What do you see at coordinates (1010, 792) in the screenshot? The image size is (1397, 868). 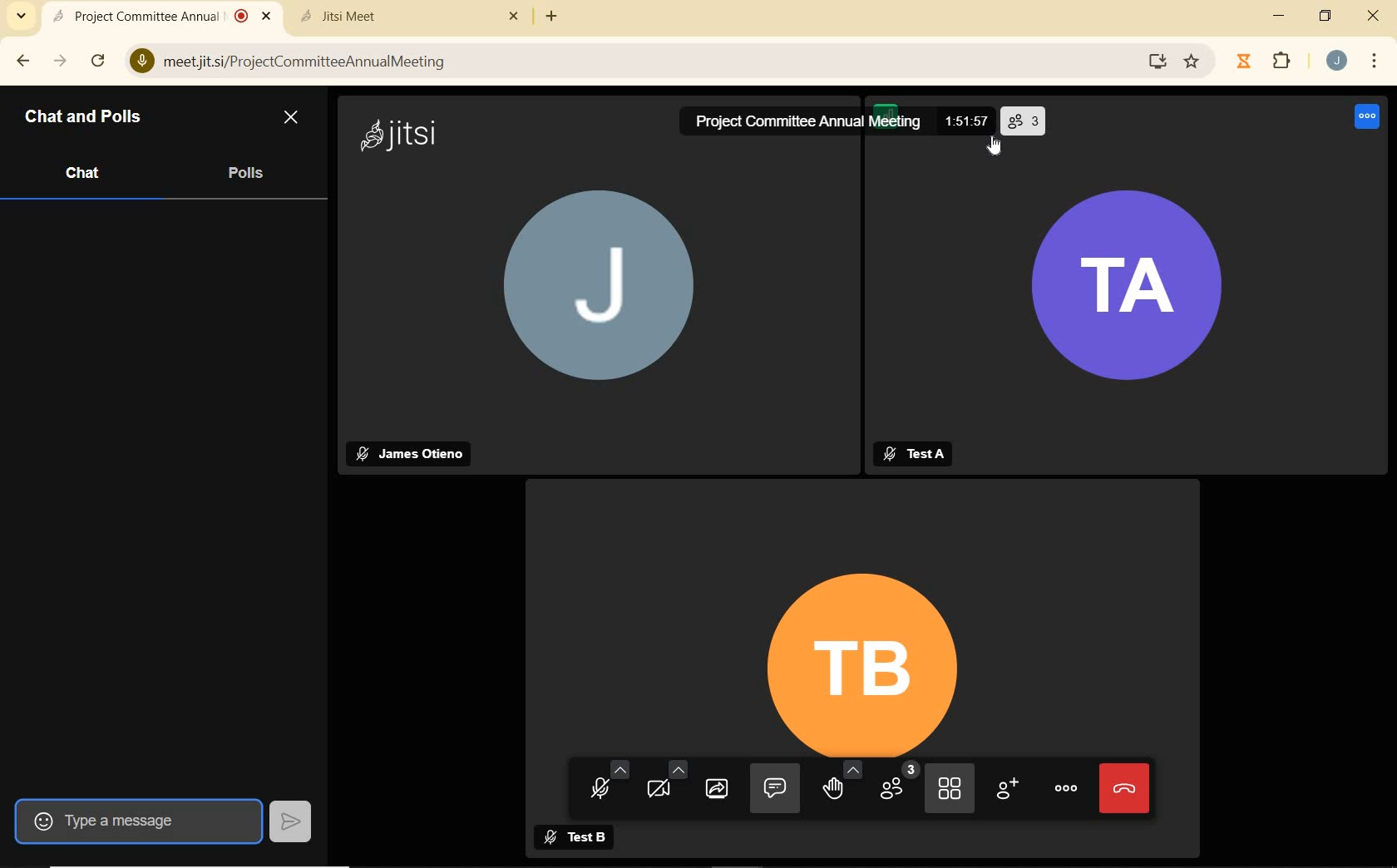 I see `invite people` at bounding box center [1010, 792].